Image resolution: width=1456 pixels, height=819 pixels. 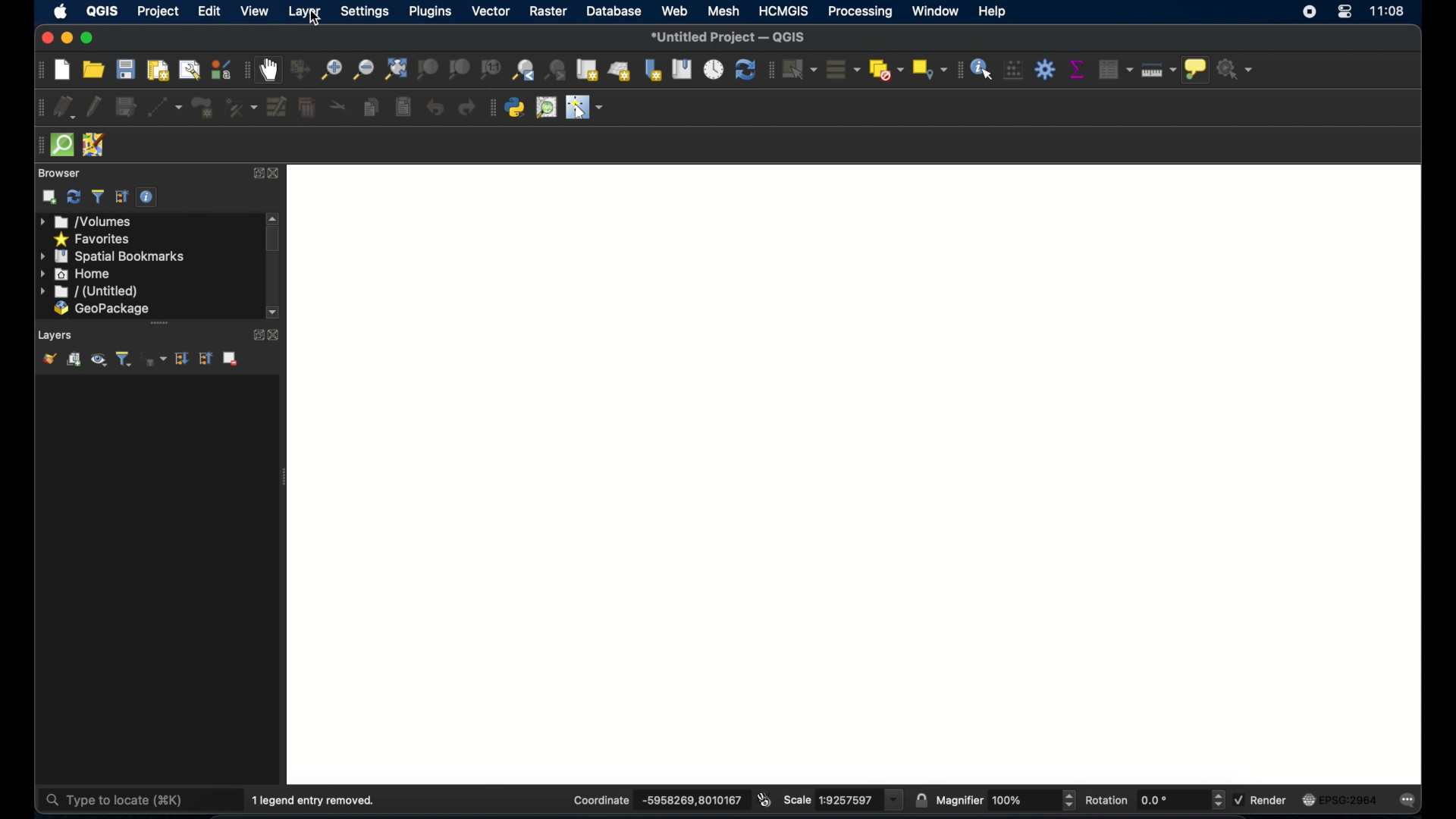 What do you see at coordinates (337, 107) in the screenshot?
I see `cut features` at bounding box center [337, 107].